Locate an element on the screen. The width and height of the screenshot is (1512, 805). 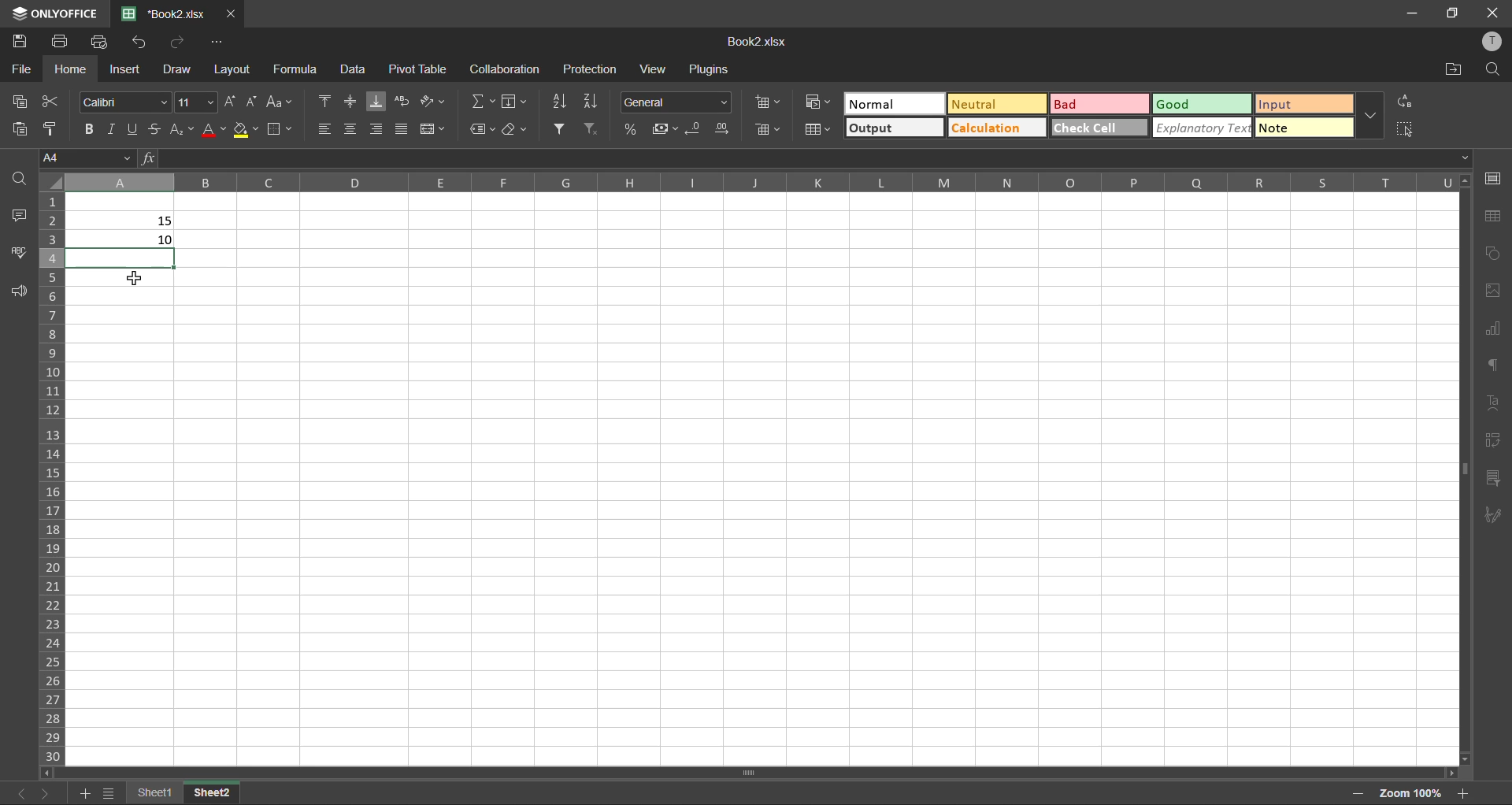
fields is located at coordinates (513, 102).